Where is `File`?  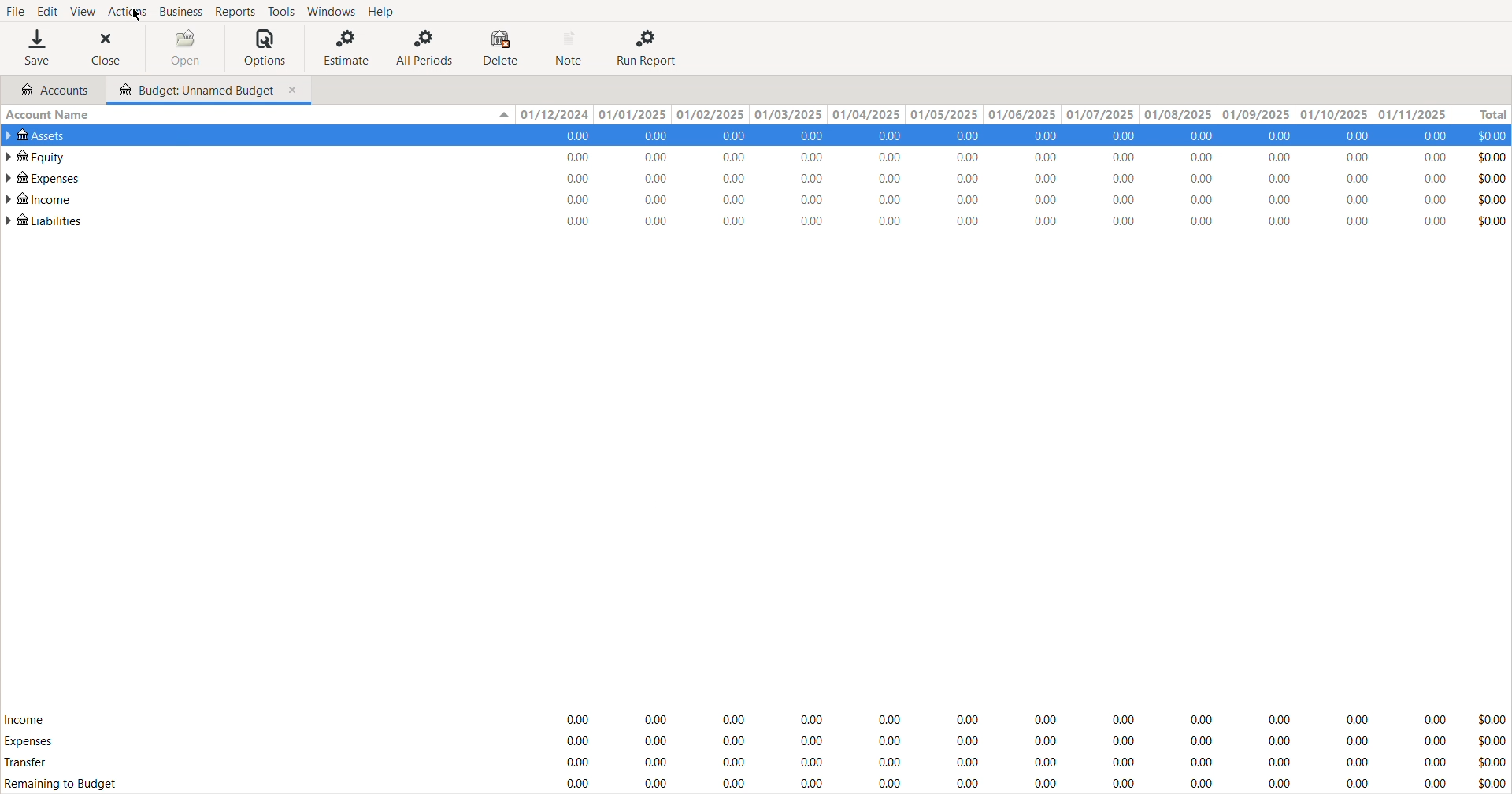
File is located at coordinates (15, 9).